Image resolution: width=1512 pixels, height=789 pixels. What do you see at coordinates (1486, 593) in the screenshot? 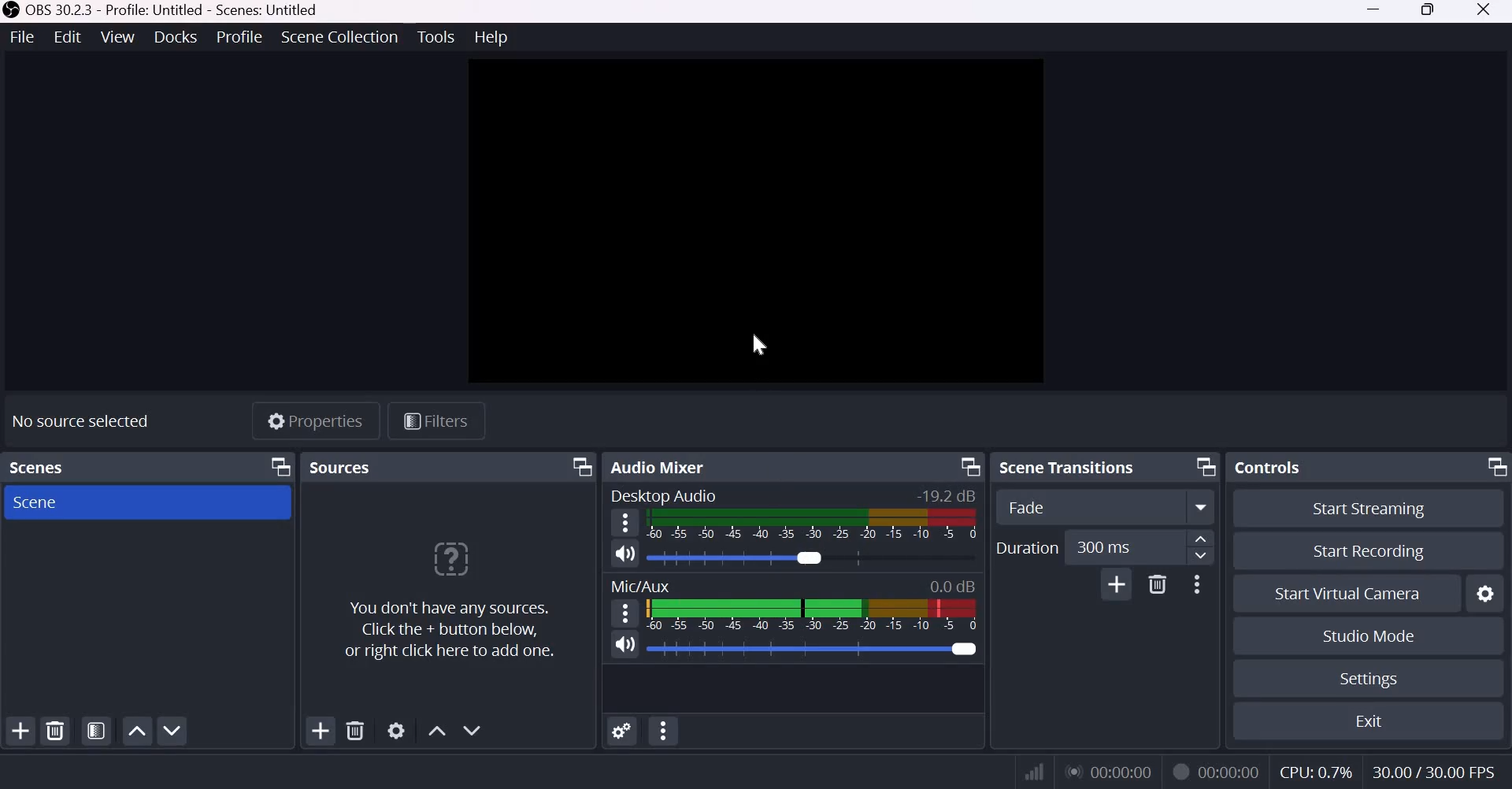
I see `Configure virtual camera` at bounding box center [1486, 593].